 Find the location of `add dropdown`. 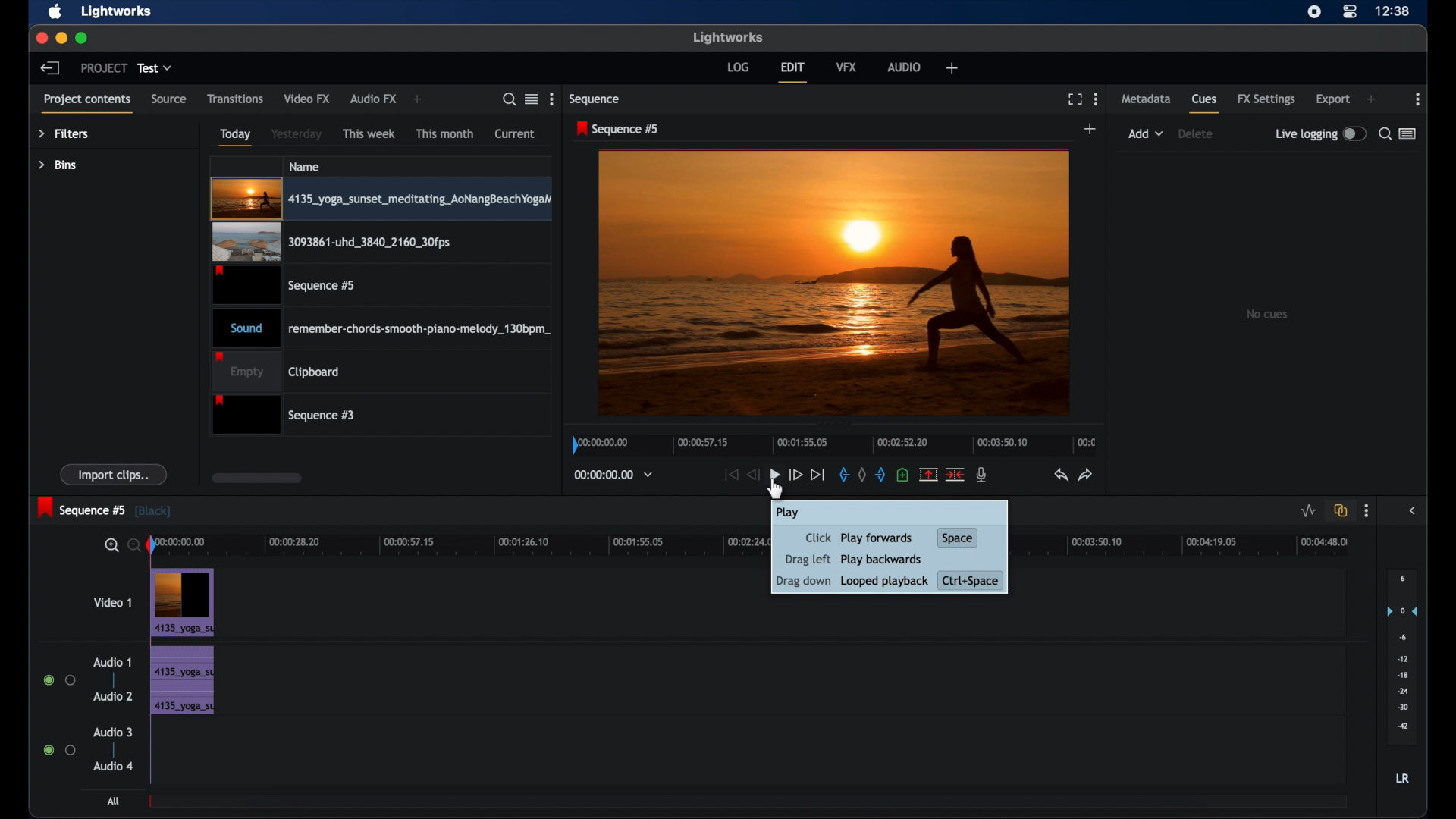

add dropdown is located at coordinates (1146, 133).